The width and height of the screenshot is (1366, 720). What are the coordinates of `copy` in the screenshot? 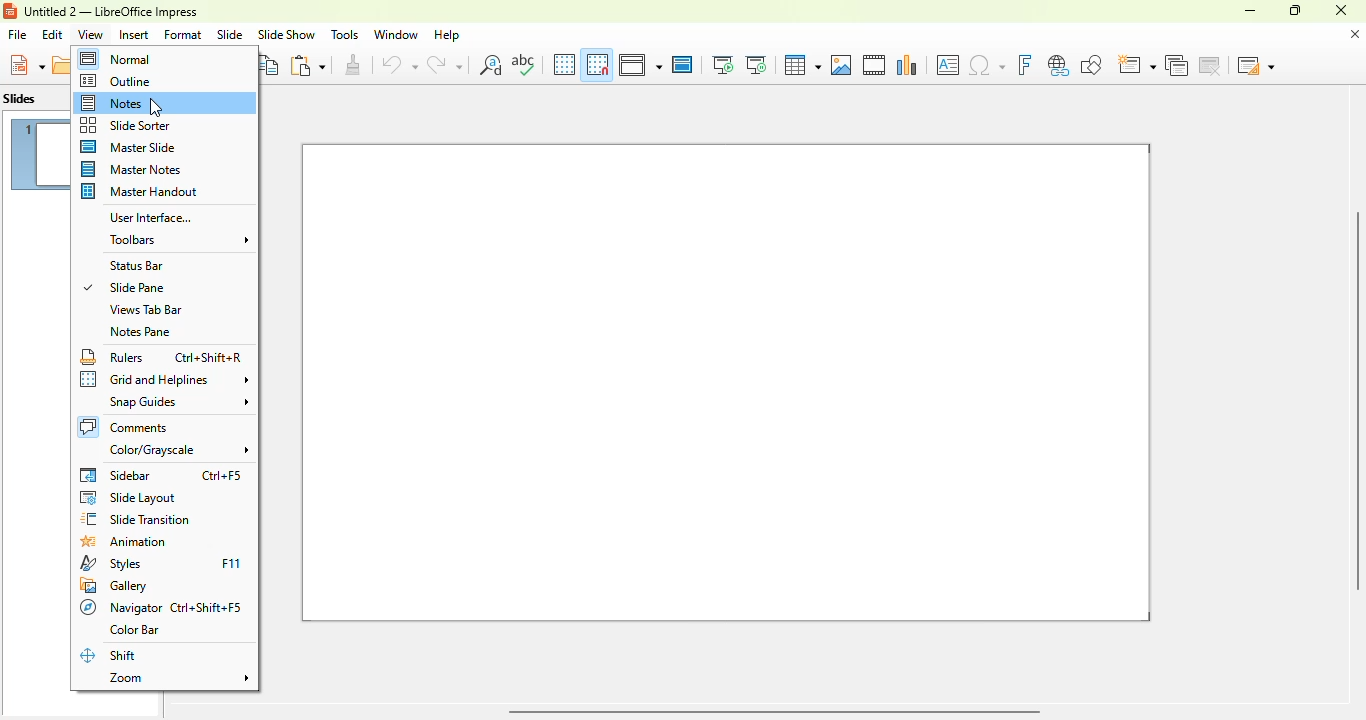 It's located at (271, 65).